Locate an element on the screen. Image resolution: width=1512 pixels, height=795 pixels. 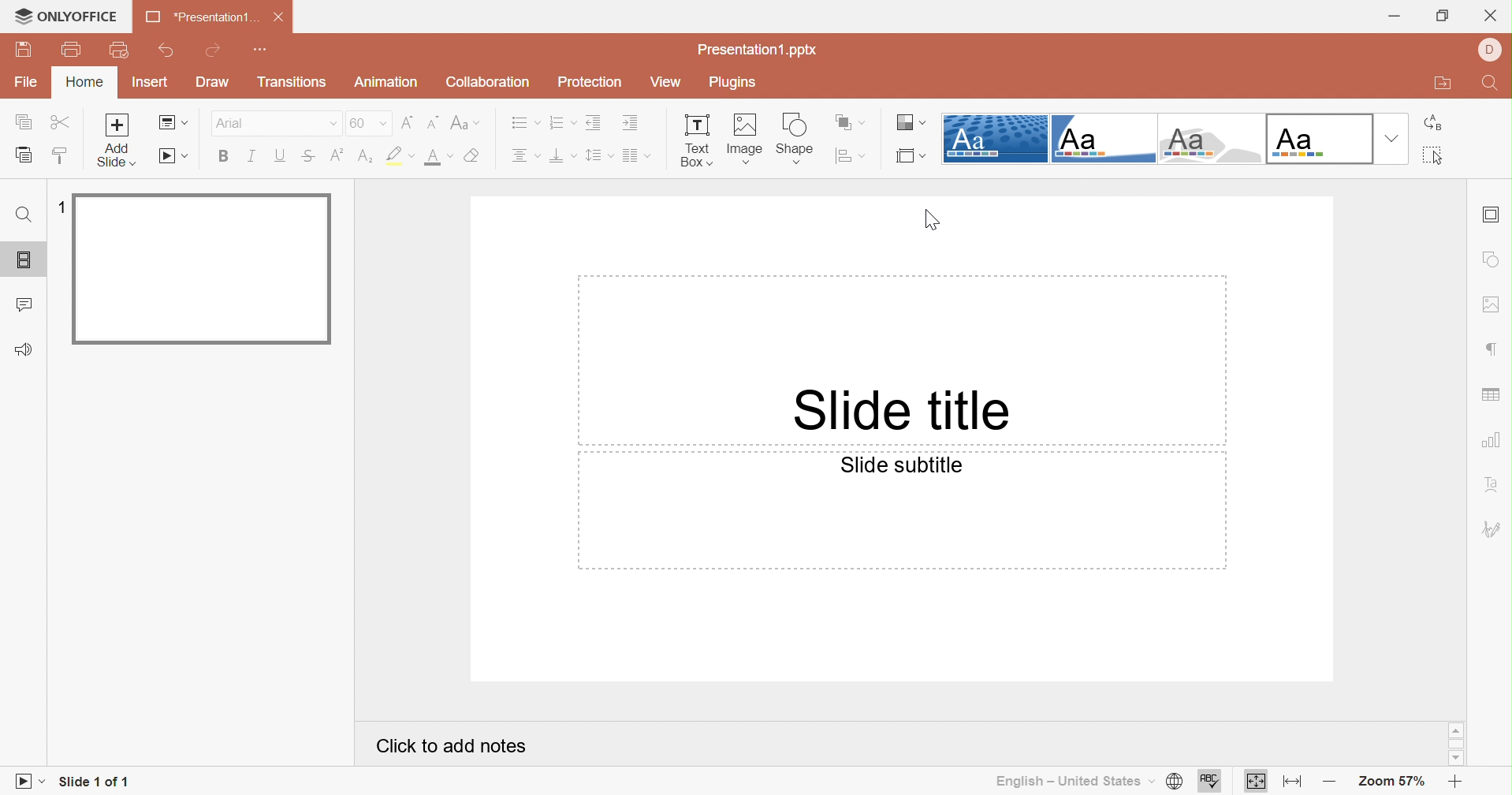
Home is located at coordinates (86, 82).